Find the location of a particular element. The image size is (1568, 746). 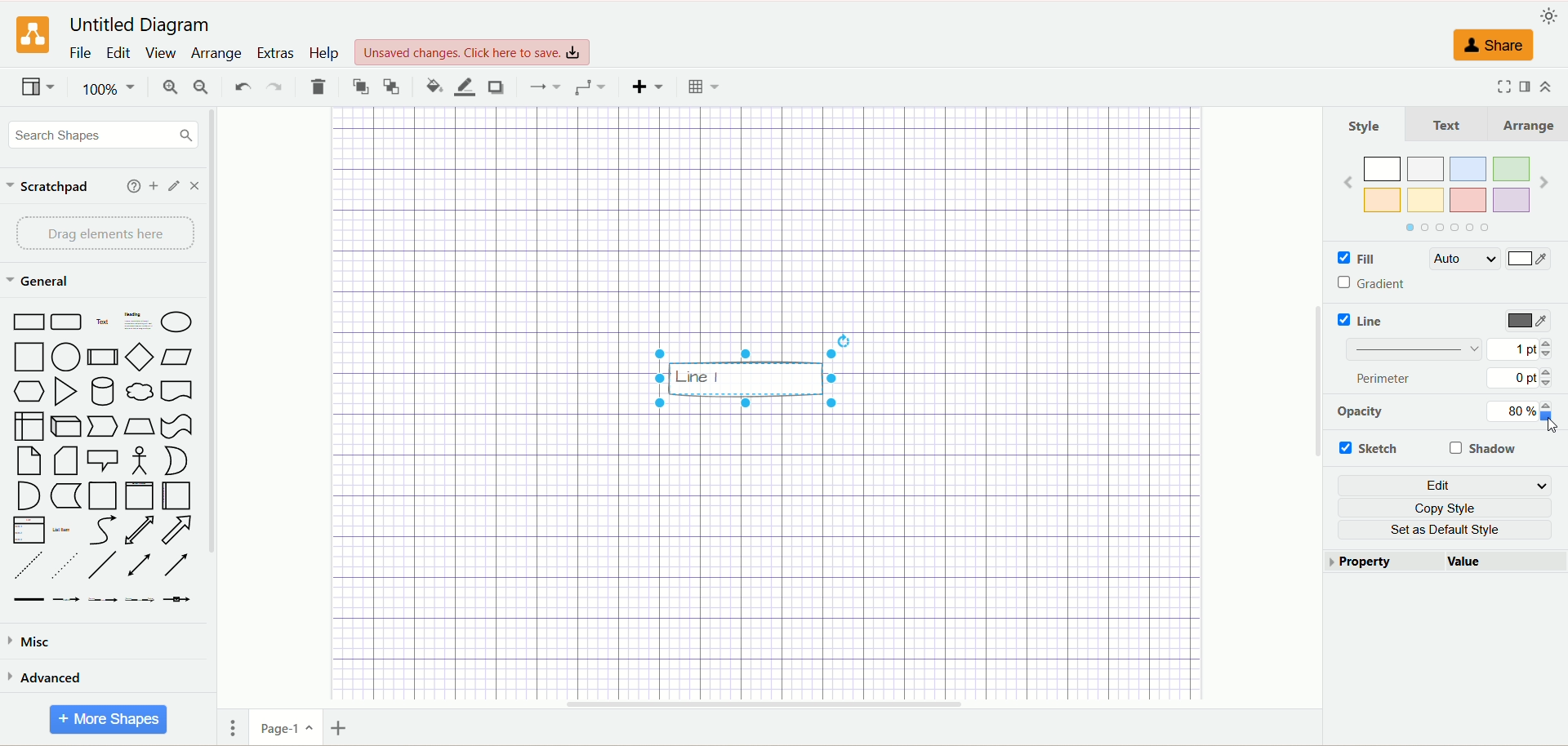

logo is located at coordinates (31, 35).